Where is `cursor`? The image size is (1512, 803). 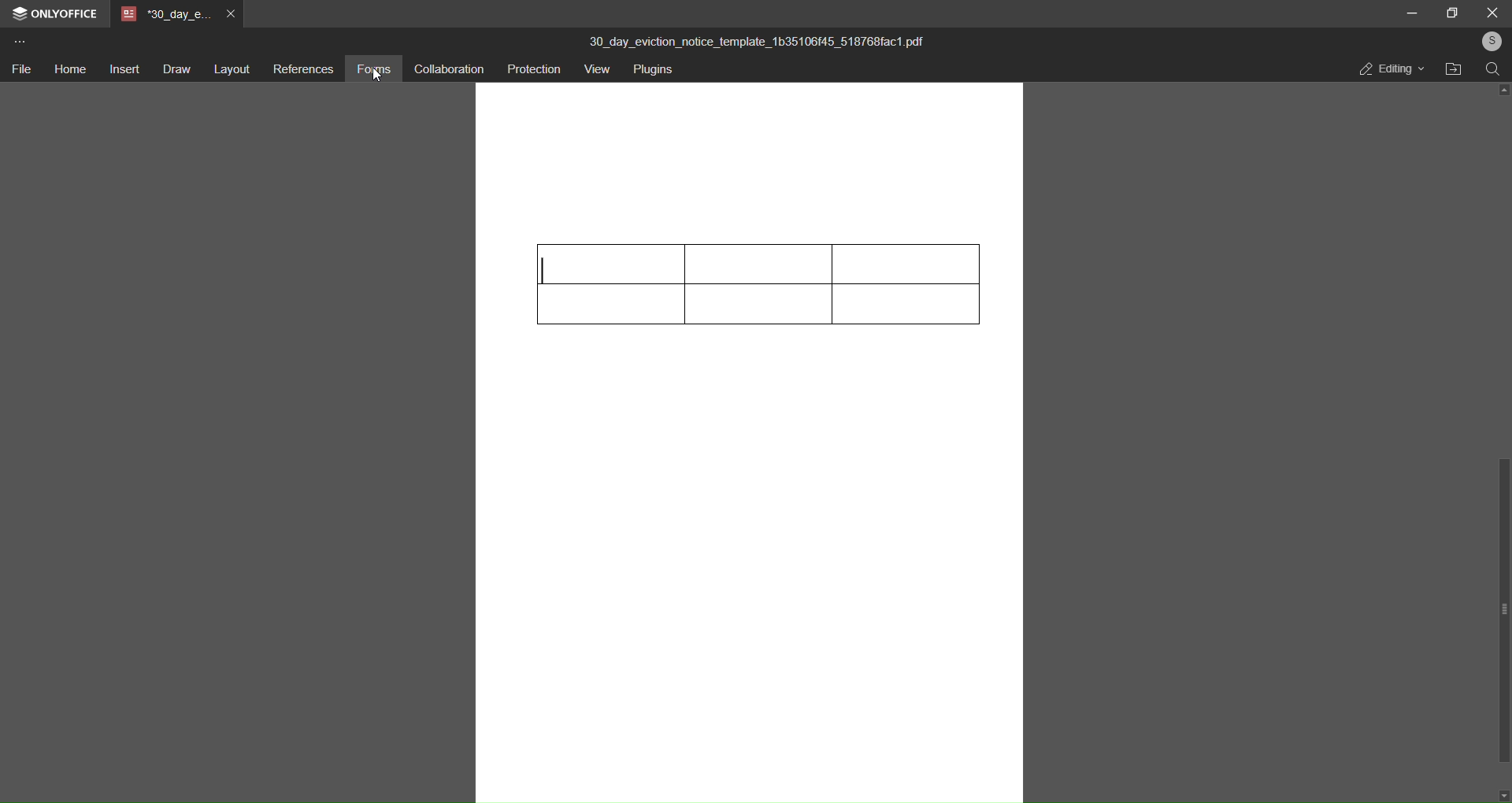
cursor is located at coordinates (380, 80).